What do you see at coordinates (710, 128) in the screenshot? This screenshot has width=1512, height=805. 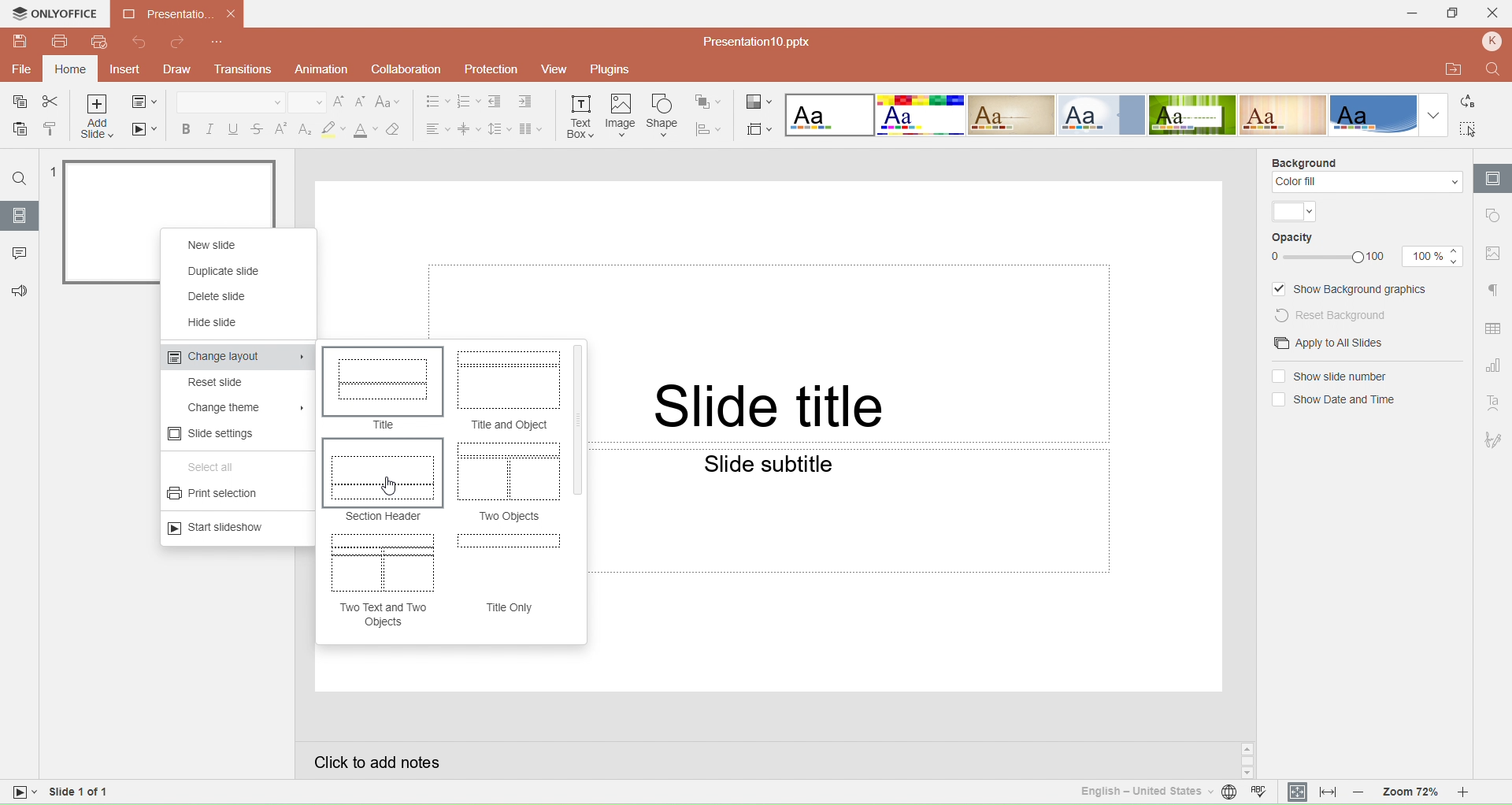 I see `Align shape` at bounding box center [710, 128].